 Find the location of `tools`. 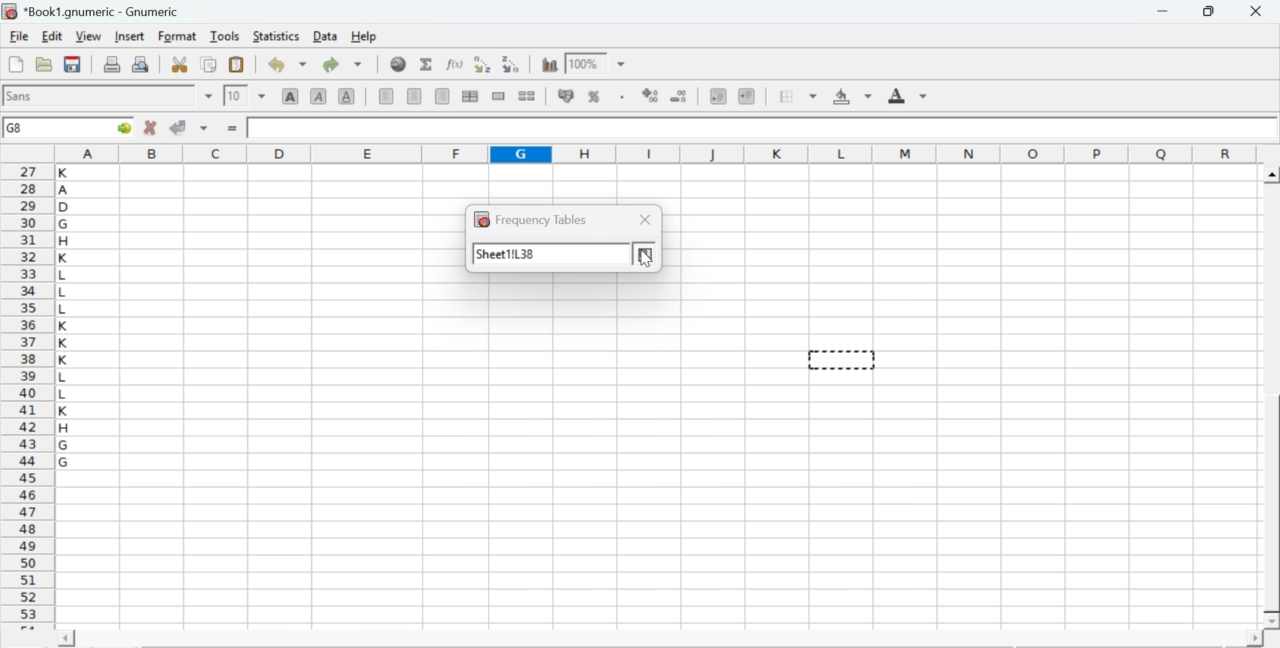

tools is located at coordinates (226, 35).